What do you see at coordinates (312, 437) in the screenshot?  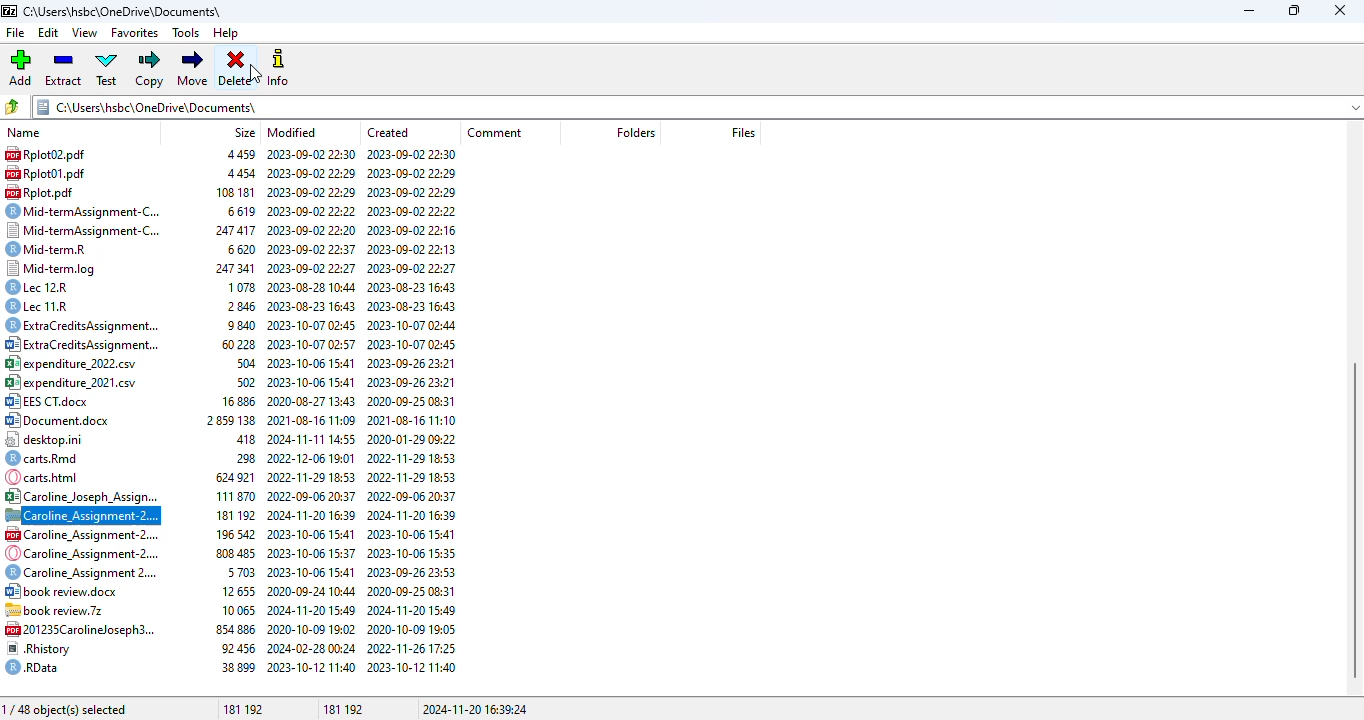 I see `2024-11-11 14:55` at bounding box center [312, 437].